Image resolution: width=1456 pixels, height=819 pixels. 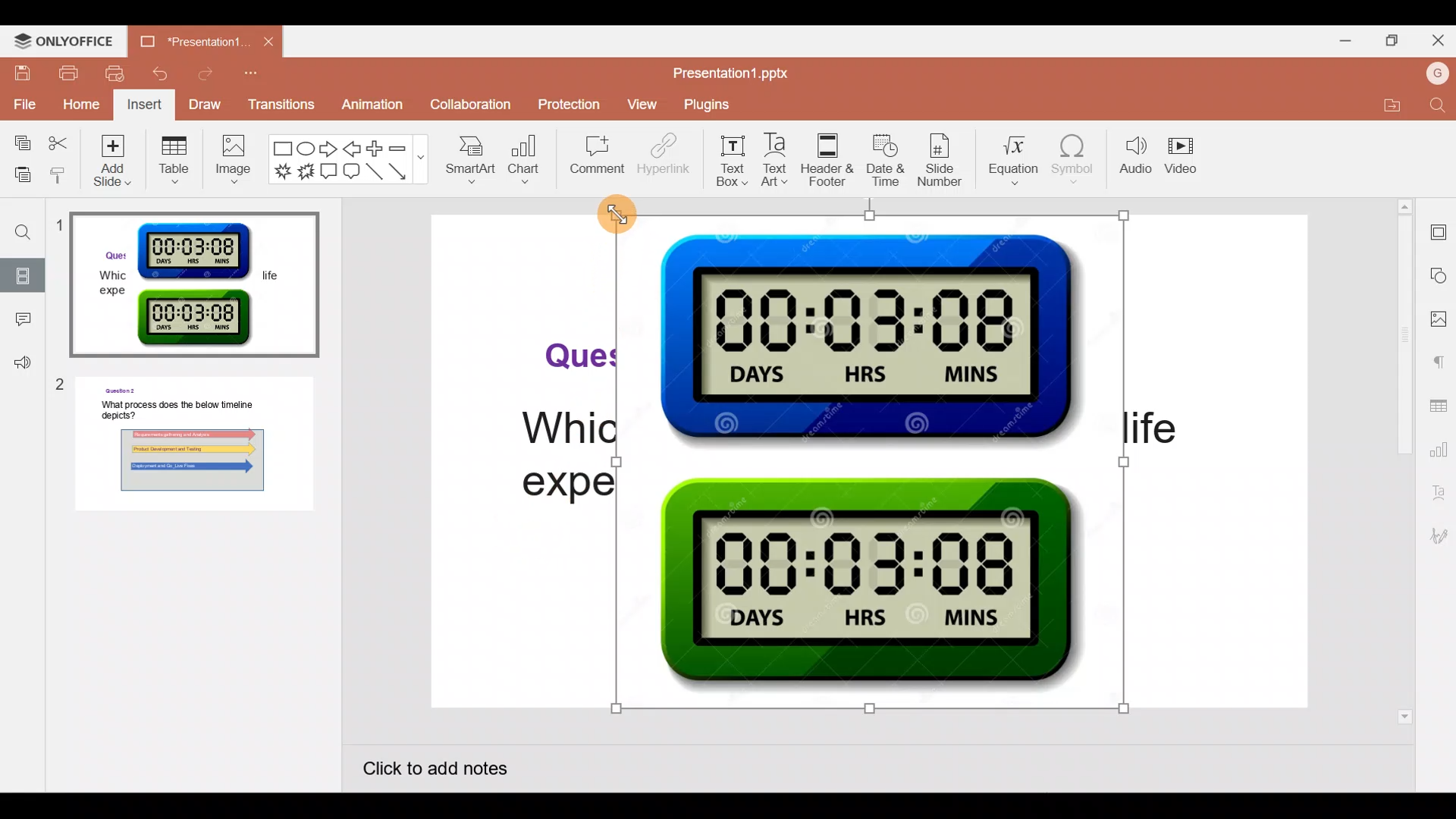 What do you see at coordinates (278, 171) in the screenshot?
I see `Explosion 1` at bounding box center [278, 171].